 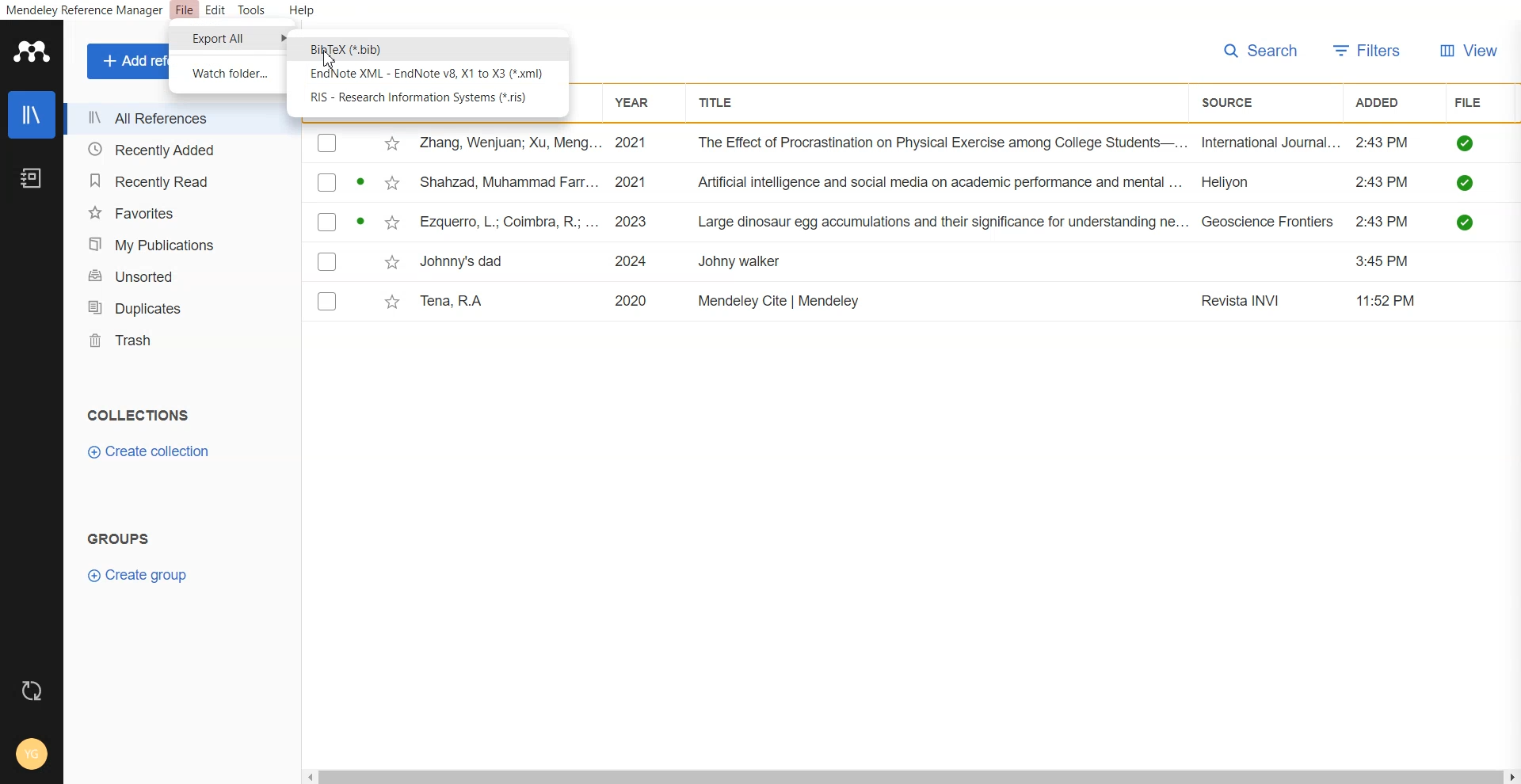 What do you see at coordinates (308, 776) in the screenshot?
I see `scroll left` at bounding box center [308, 776].